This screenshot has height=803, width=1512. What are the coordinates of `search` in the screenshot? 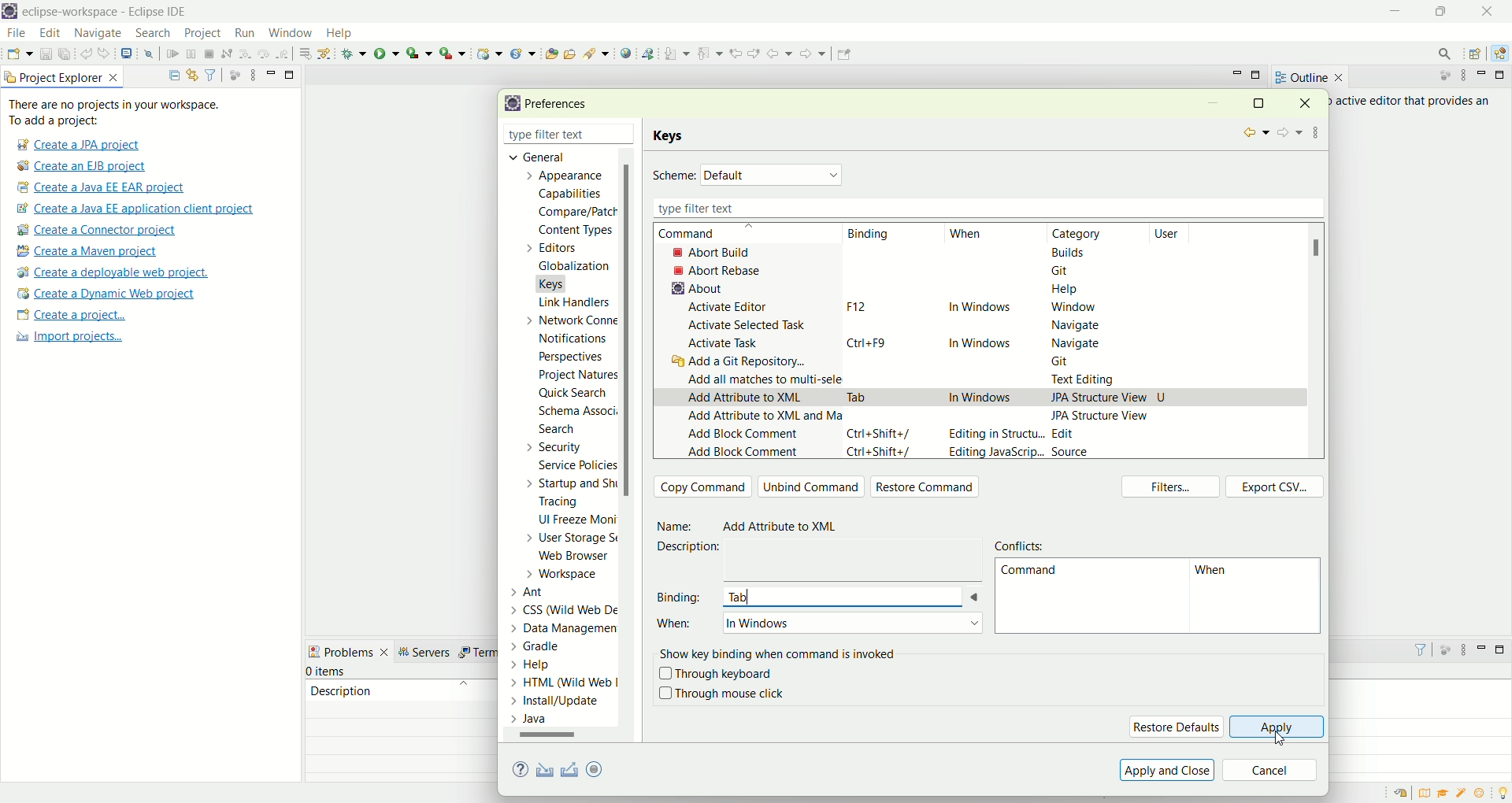 It's located at (557, 431).